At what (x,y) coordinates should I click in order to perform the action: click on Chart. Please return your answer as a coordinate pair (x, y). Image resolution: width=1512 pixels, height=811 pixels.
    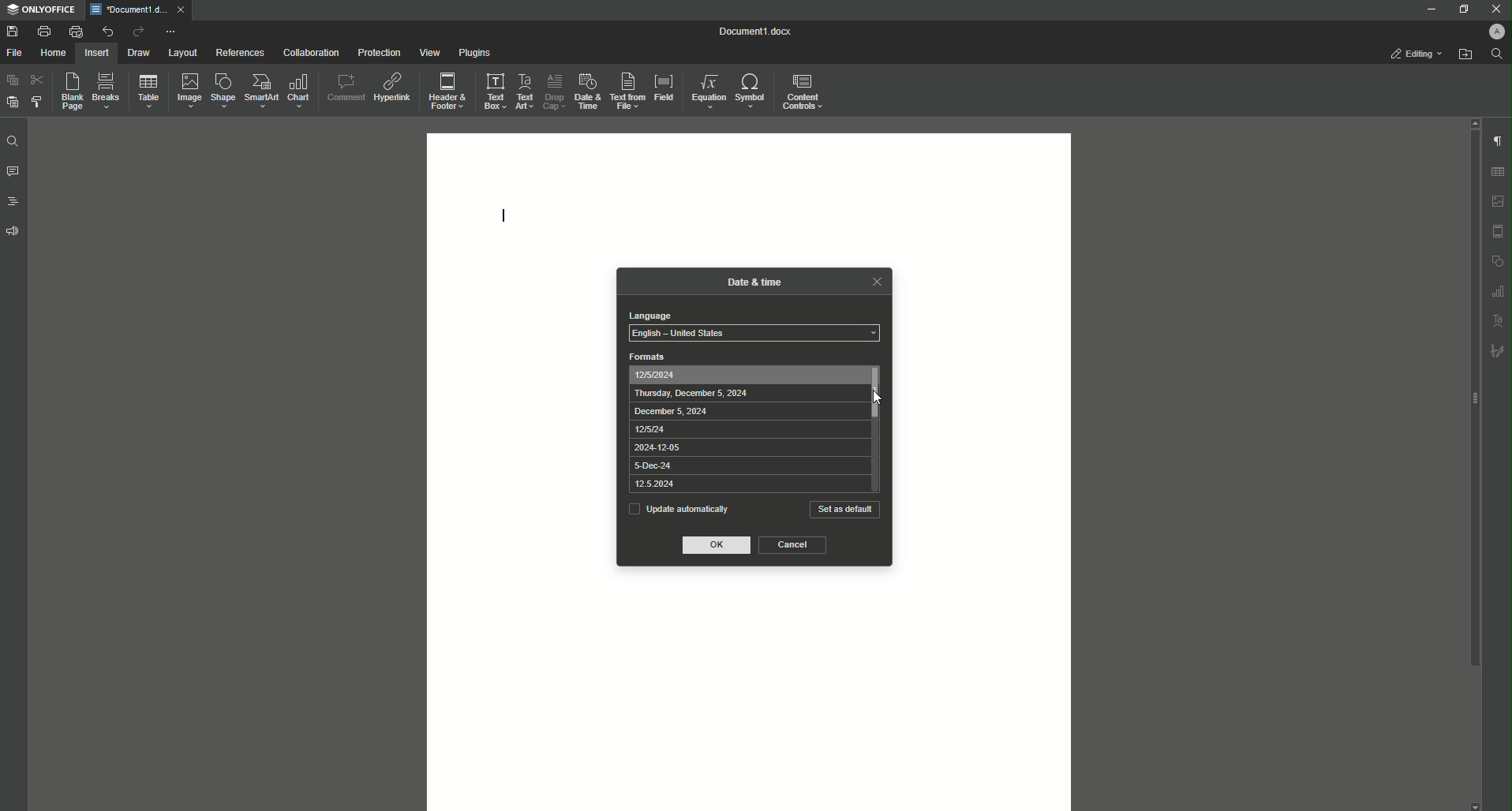
    Looking at the image, I should click on (301, 91).